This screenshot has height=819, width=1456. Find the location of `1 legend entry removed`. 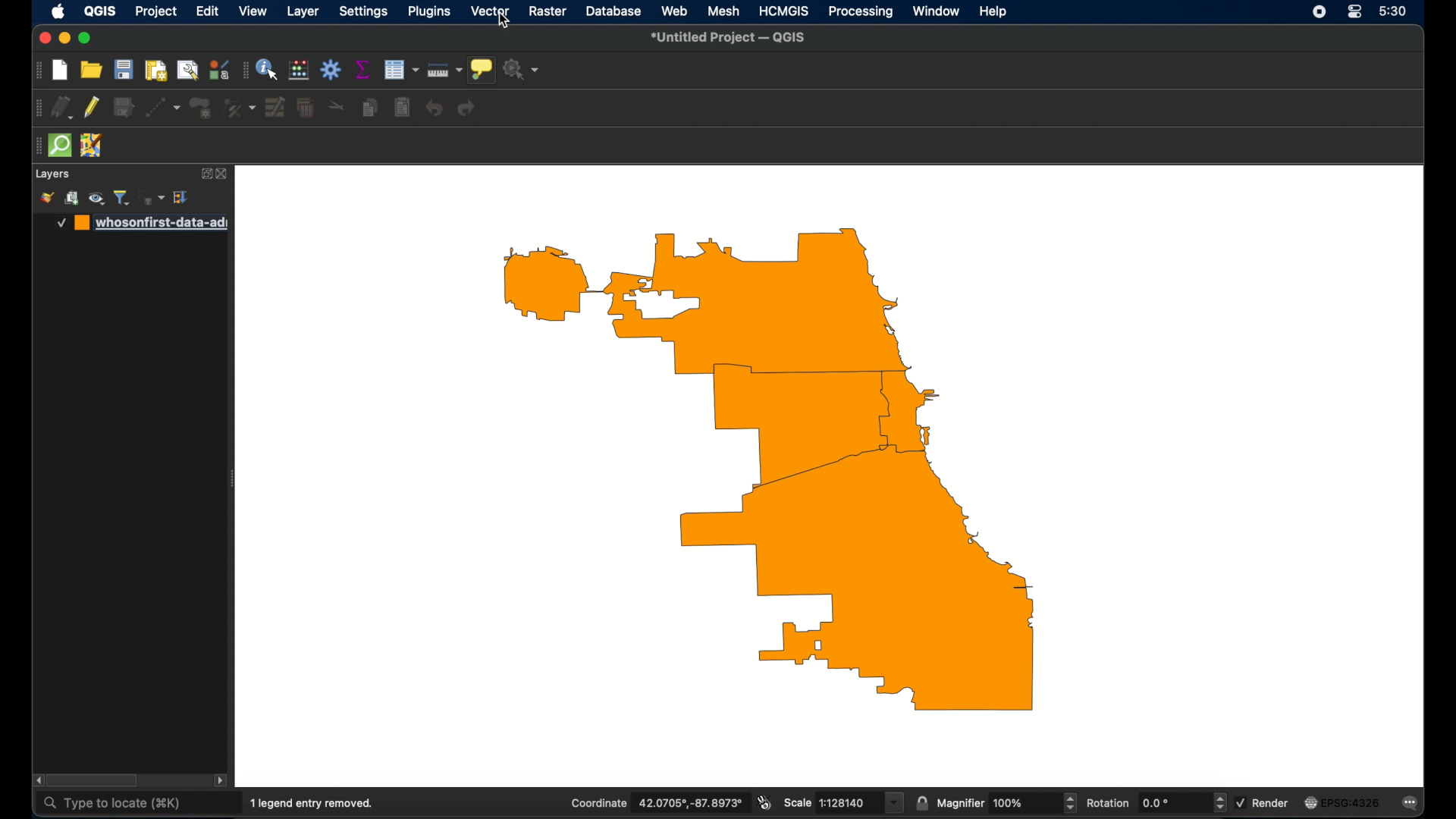

1 legend entry removed is located at coordinates (312, 804).